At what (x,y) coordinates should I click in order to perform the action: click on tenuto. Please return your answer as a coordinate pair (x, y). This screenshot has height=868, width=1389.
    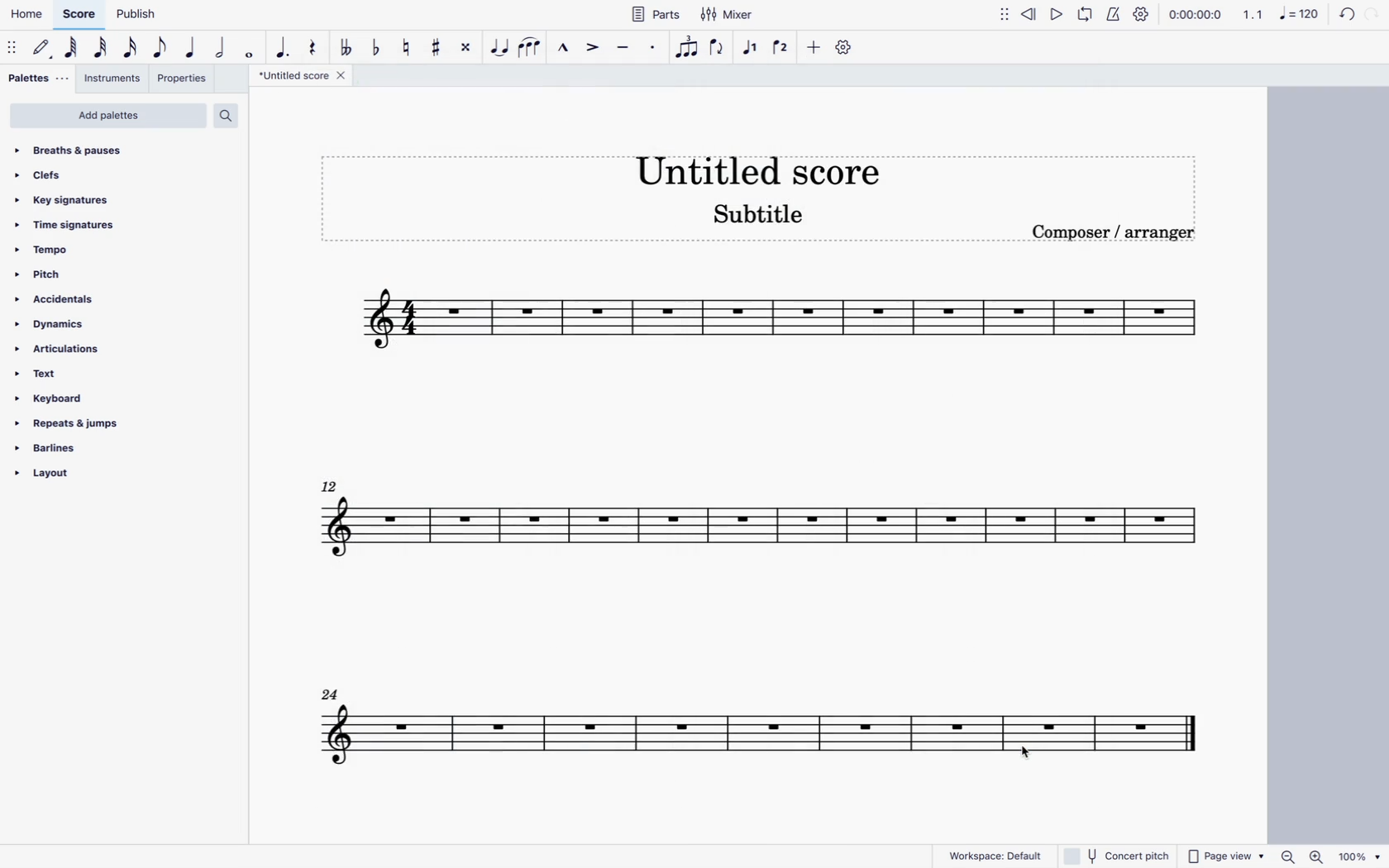
    Looking at the image, I should click on (627, 53).